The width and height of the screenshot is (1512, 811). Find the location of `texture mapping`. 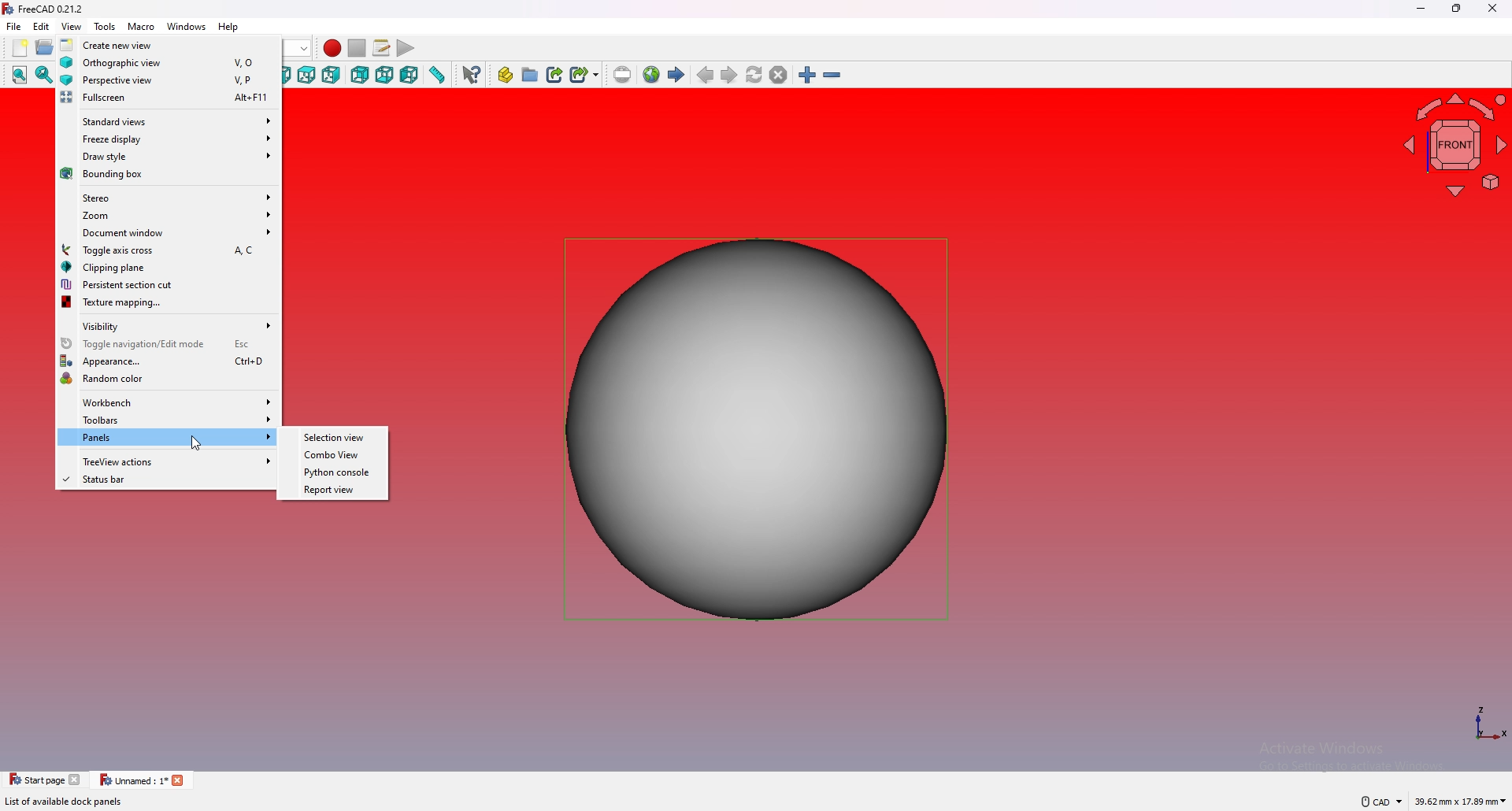

texture mapping is located at coordinates (169, 303).